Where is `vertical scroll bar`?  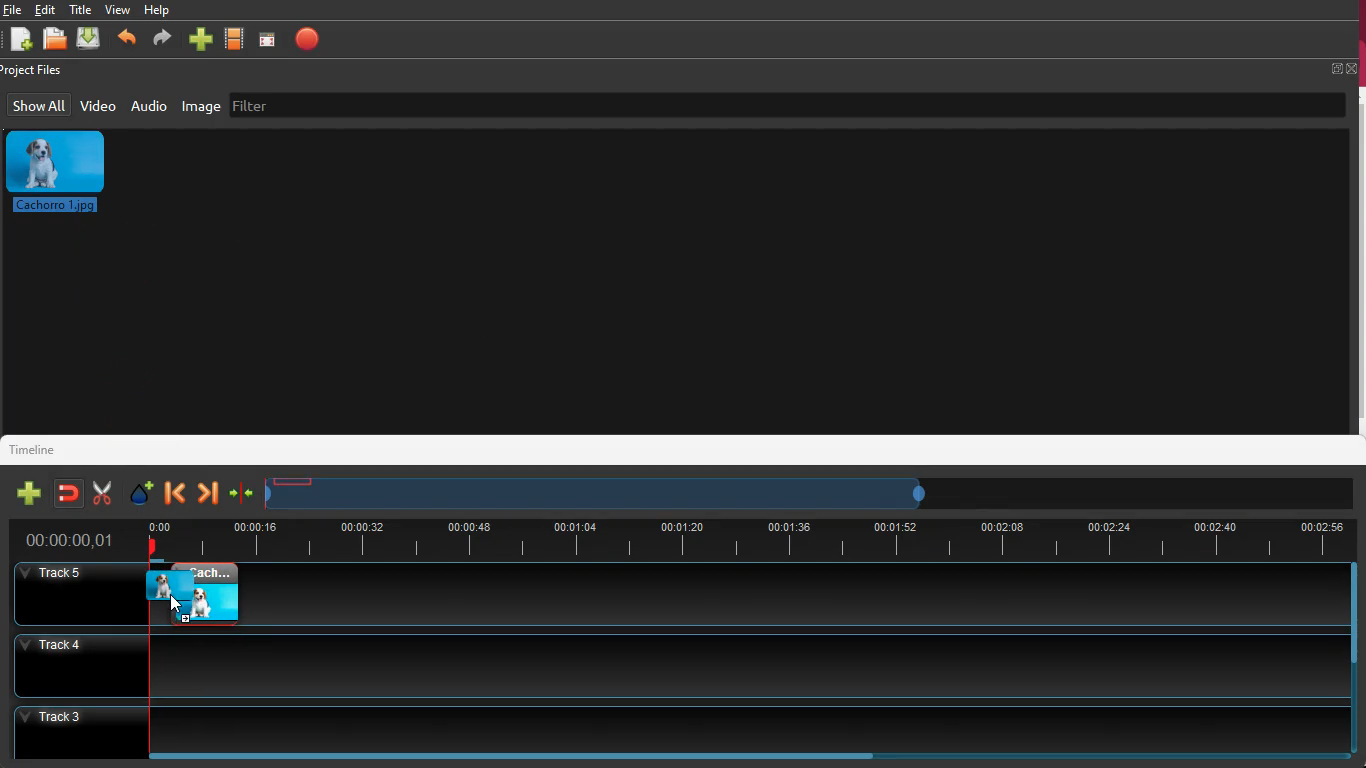
vertical scroll bar is located at coordinates (1357, 611).